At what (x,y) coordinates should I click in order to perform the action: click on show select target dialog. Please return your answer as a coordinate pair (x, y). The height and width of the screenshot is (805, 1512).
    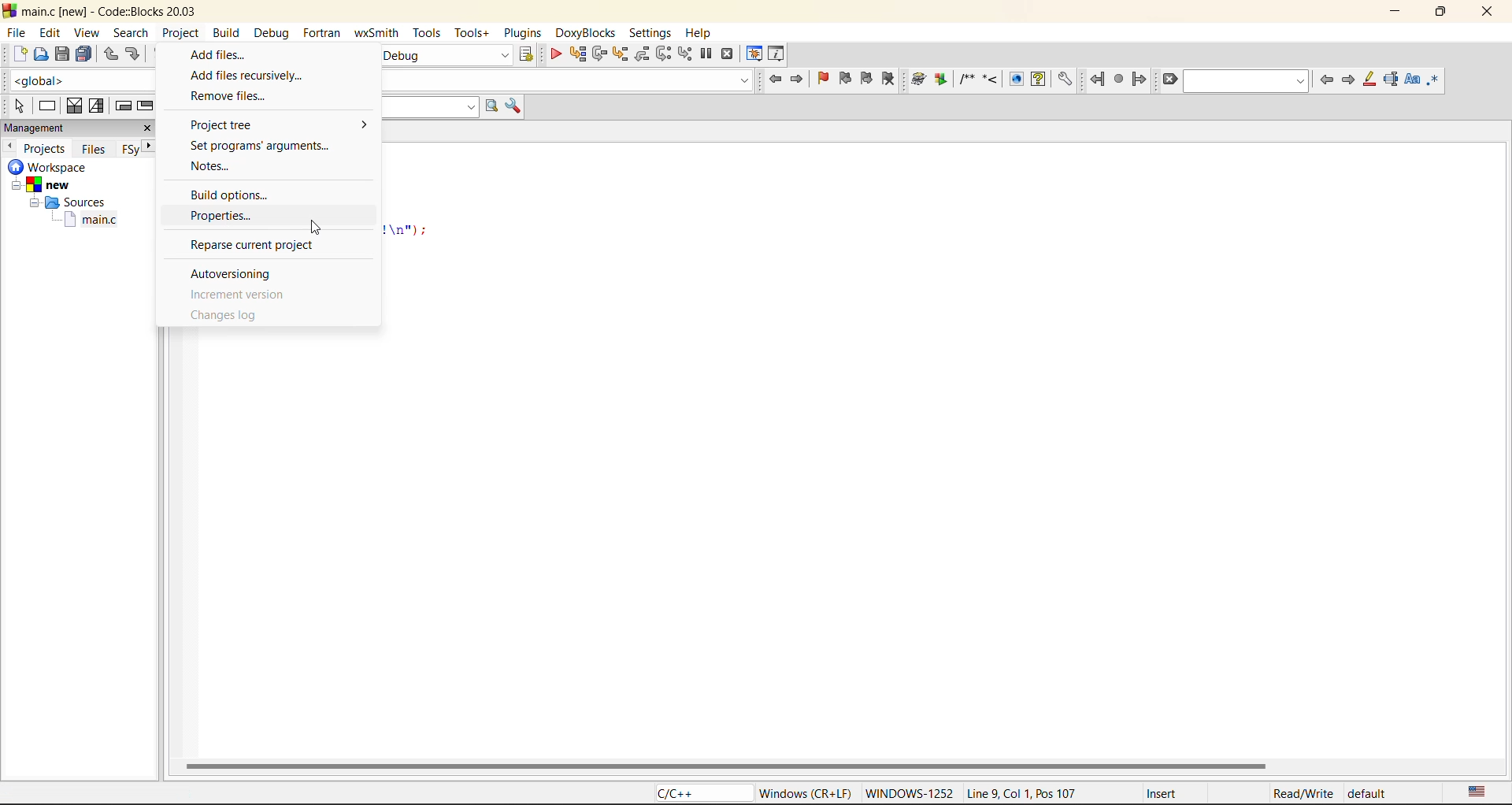
    Looking at the image, I should click on (525, 53).